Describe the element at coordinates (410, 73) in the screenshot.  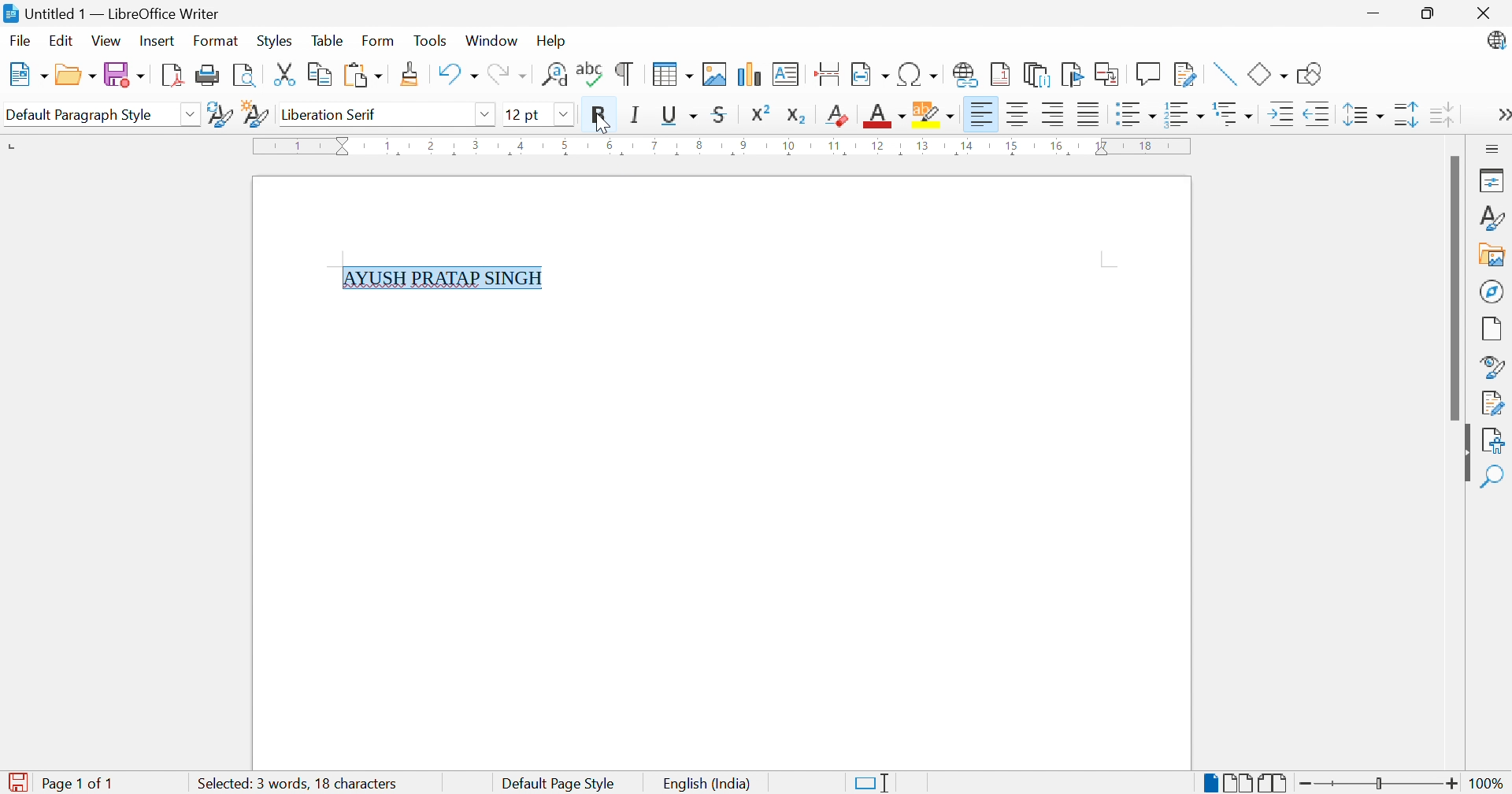
I see `Clone Formatting` at that location.